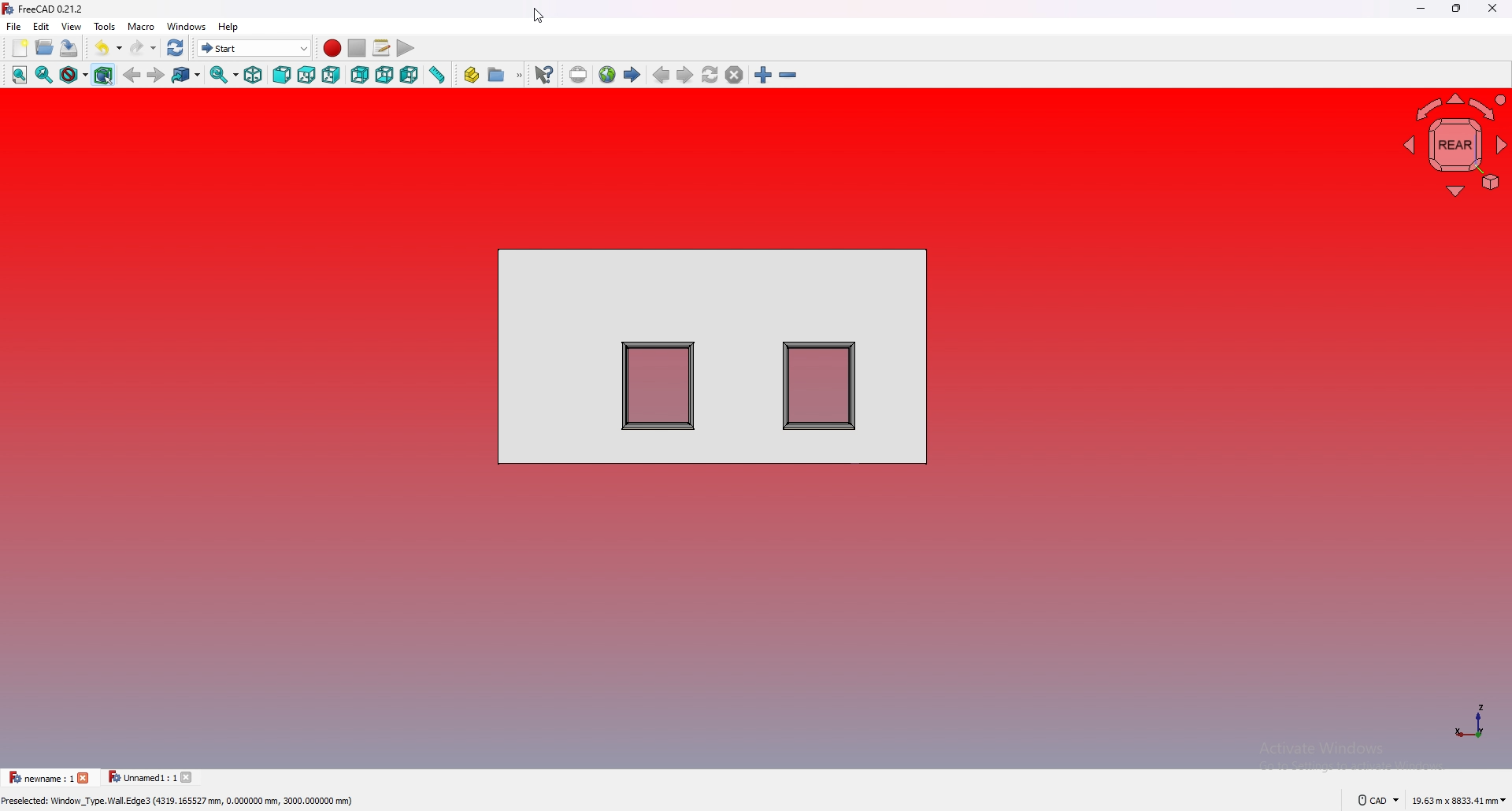  What do you see at coordinates (104, 75) in the screenshot?
I see `bounding object` at bounding box center [104, 75].